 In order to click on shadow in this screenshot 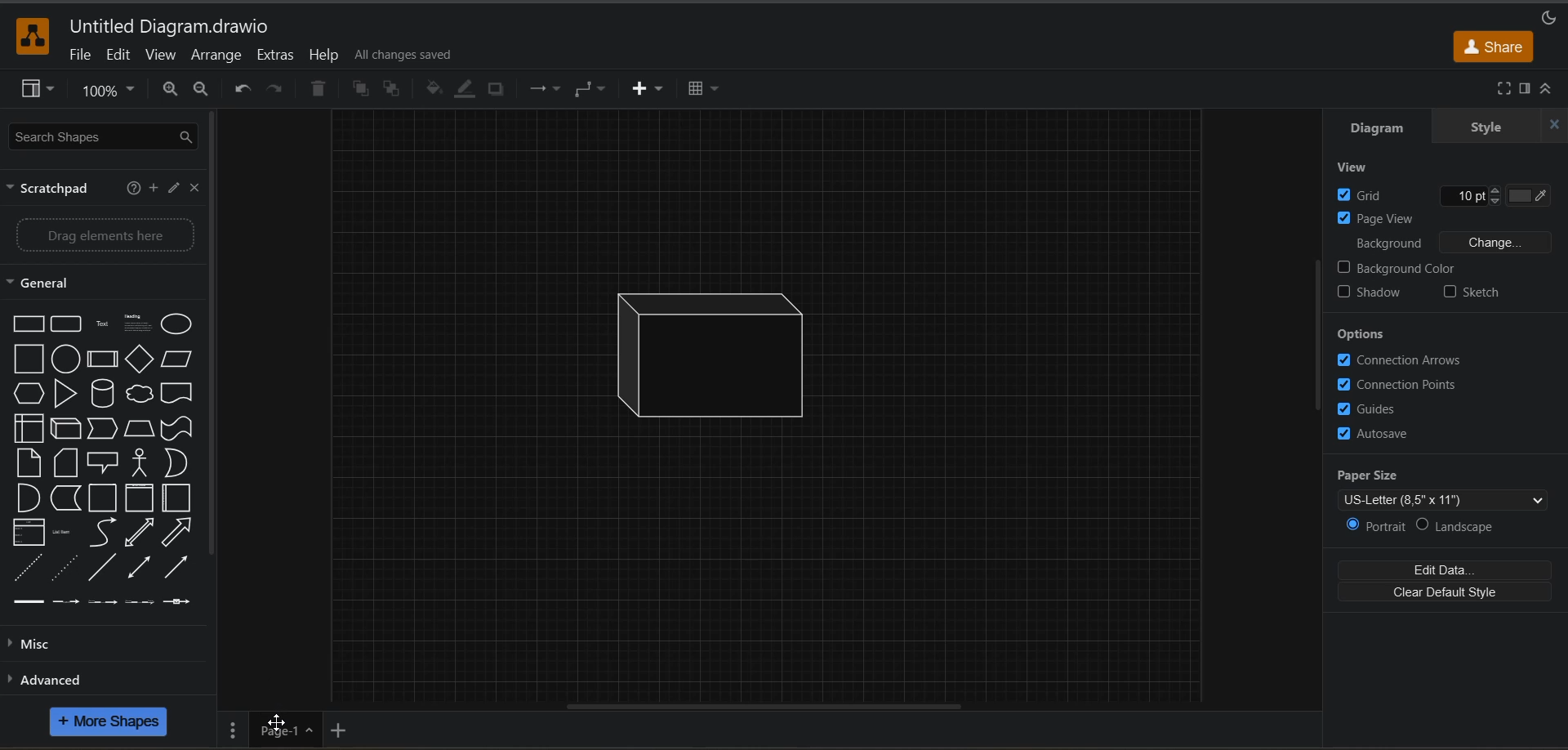, I will do `click(496, 92)`.